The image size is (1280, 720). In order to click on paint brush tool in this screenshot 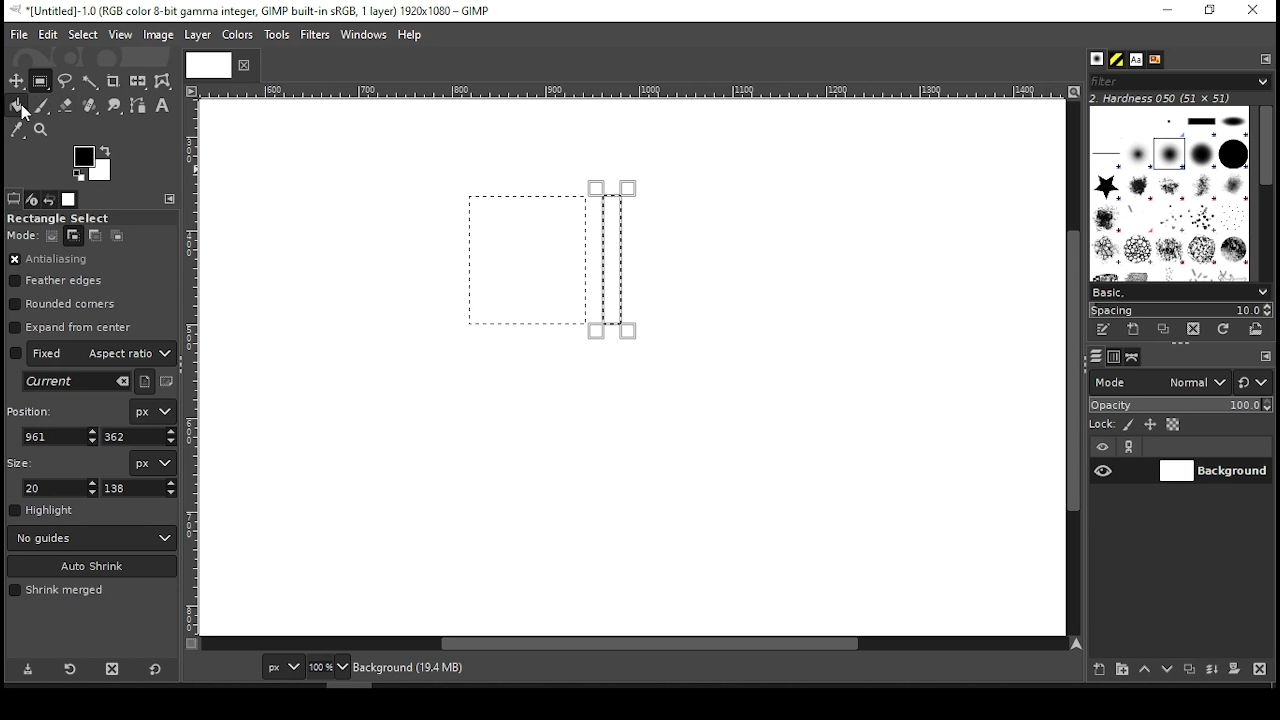, I will do `click(42, 105)`.